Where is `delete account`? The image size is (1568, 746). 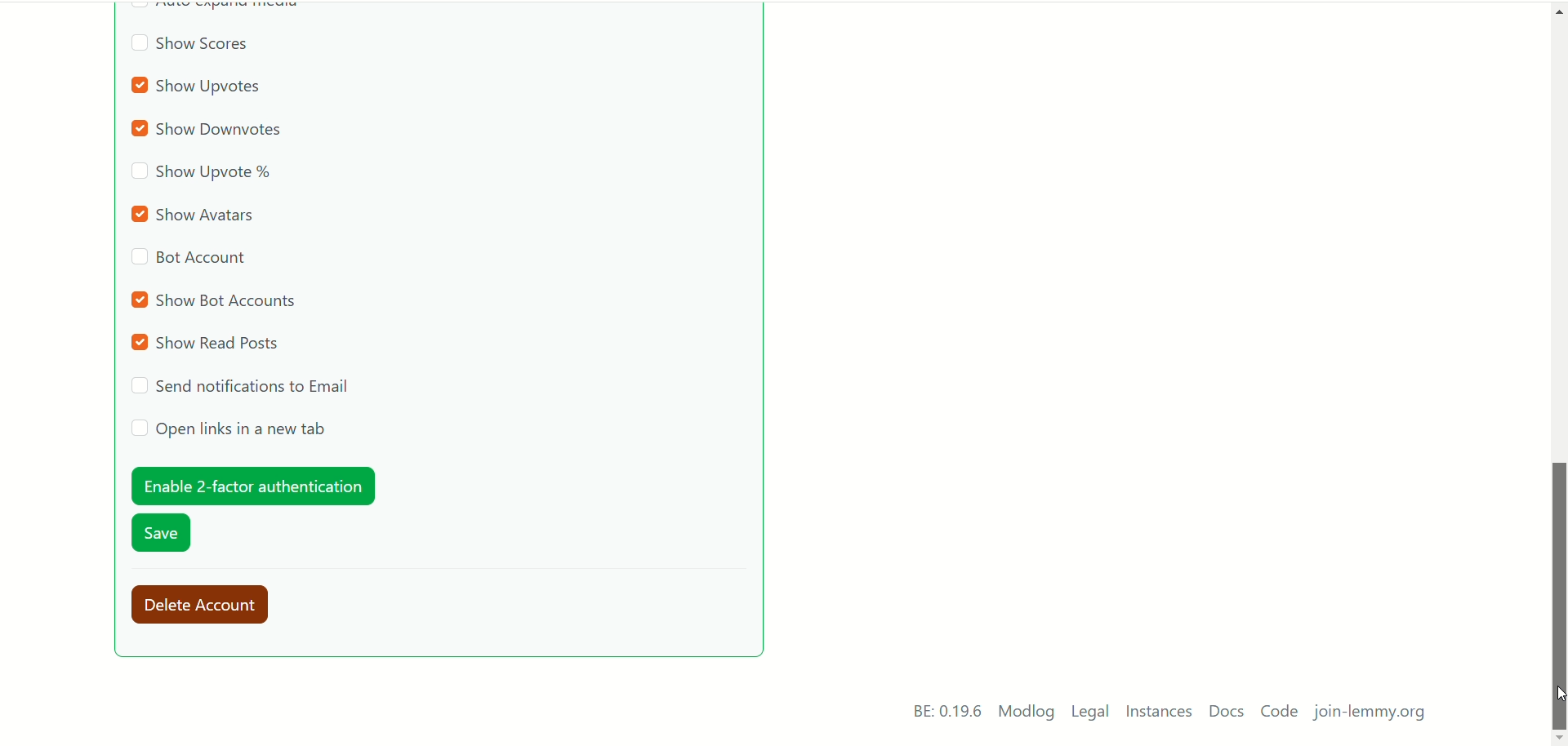
delete account is located at coordinates (207, 606).